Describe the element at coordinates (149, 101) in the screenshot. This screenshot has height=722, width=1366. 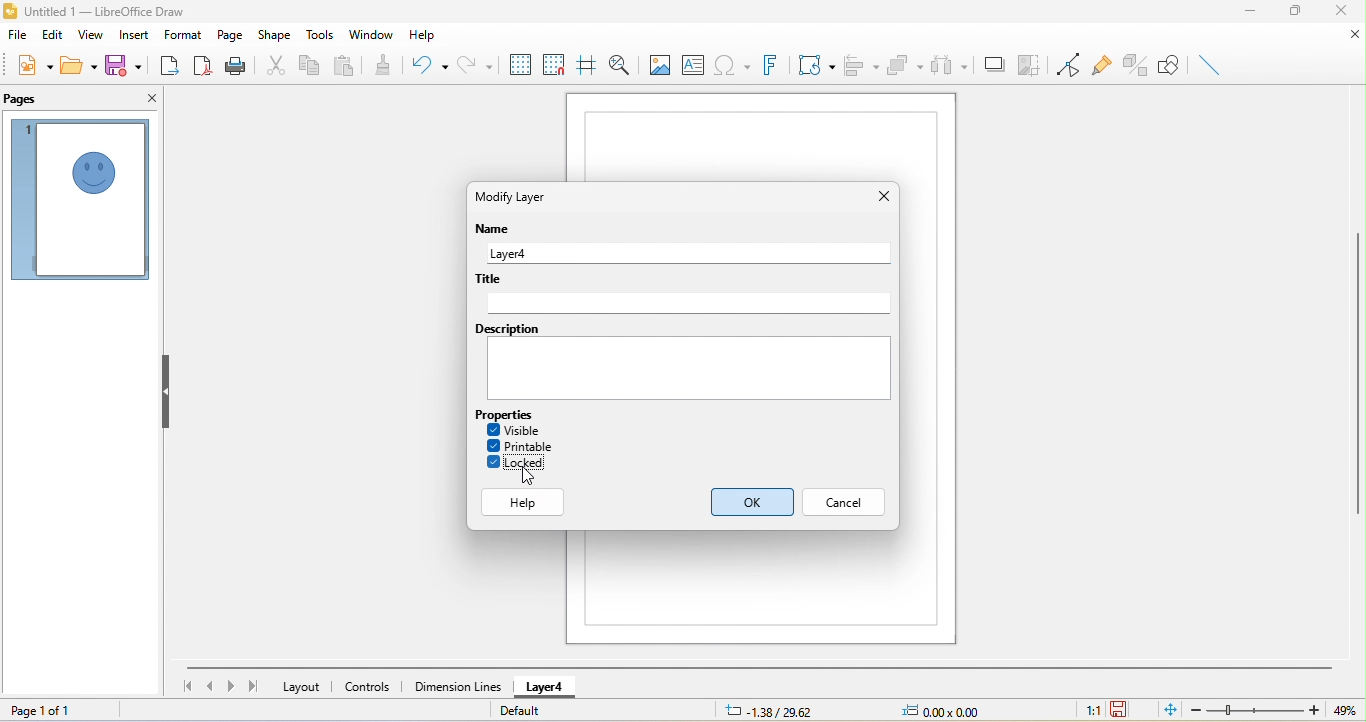
I see `close` at that location.